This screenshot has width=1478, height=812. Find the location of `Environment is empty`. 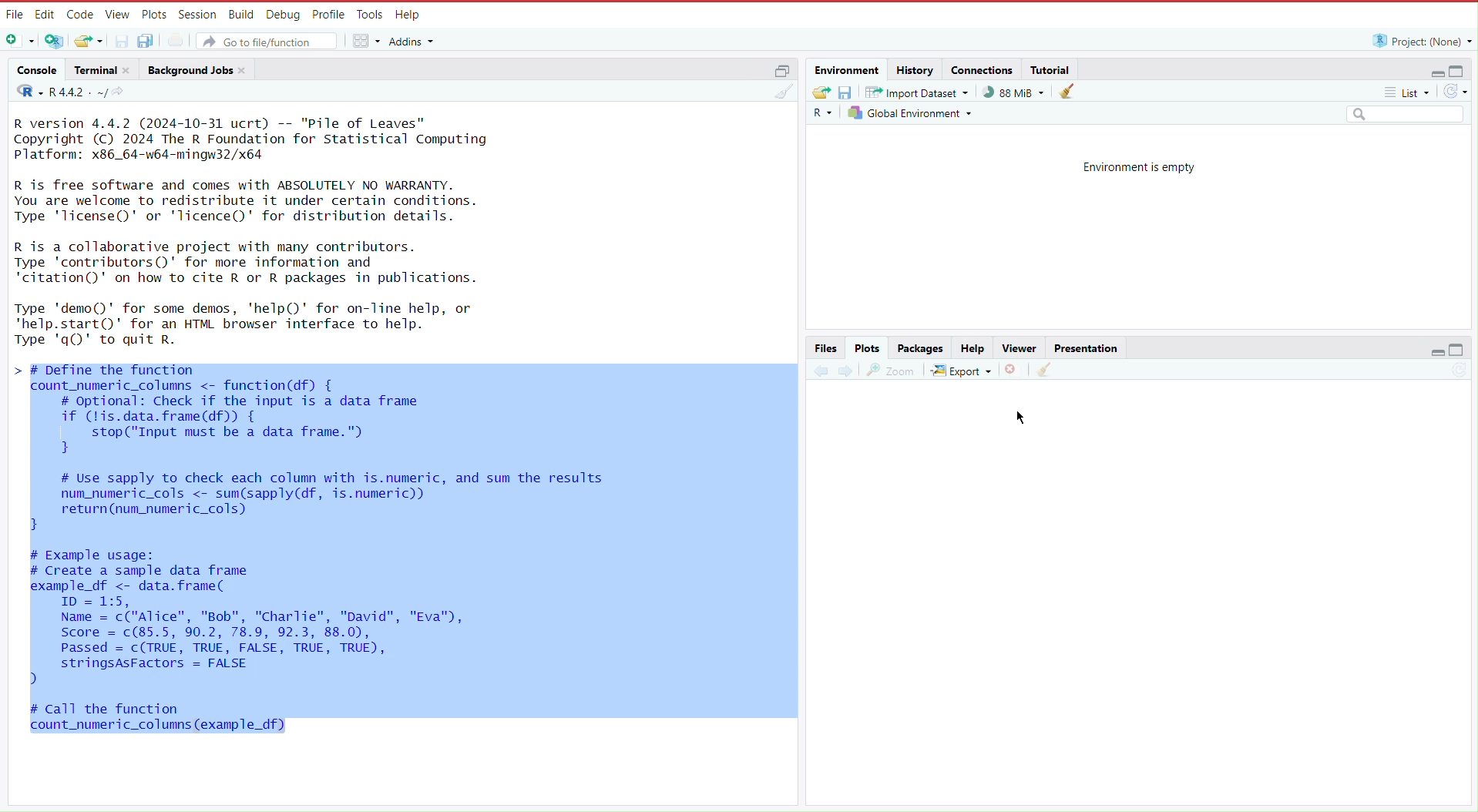

Environment is empty is located at coordinates (1139, 166).